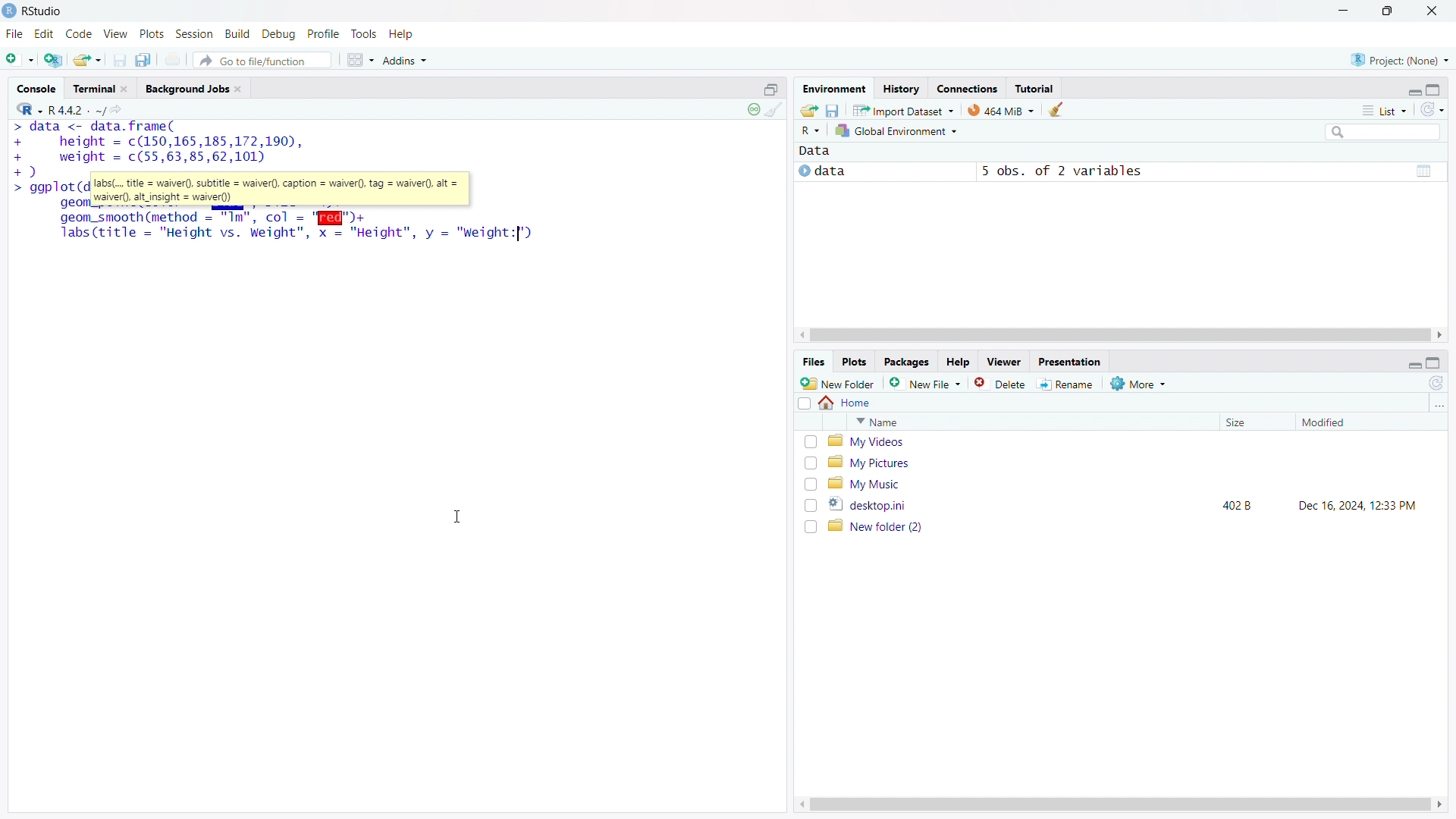 The image size is (1456, 819). What do you see at coordinates (152, 34) in the screenshot?
I see `plots` at bounding box center [152, 34].